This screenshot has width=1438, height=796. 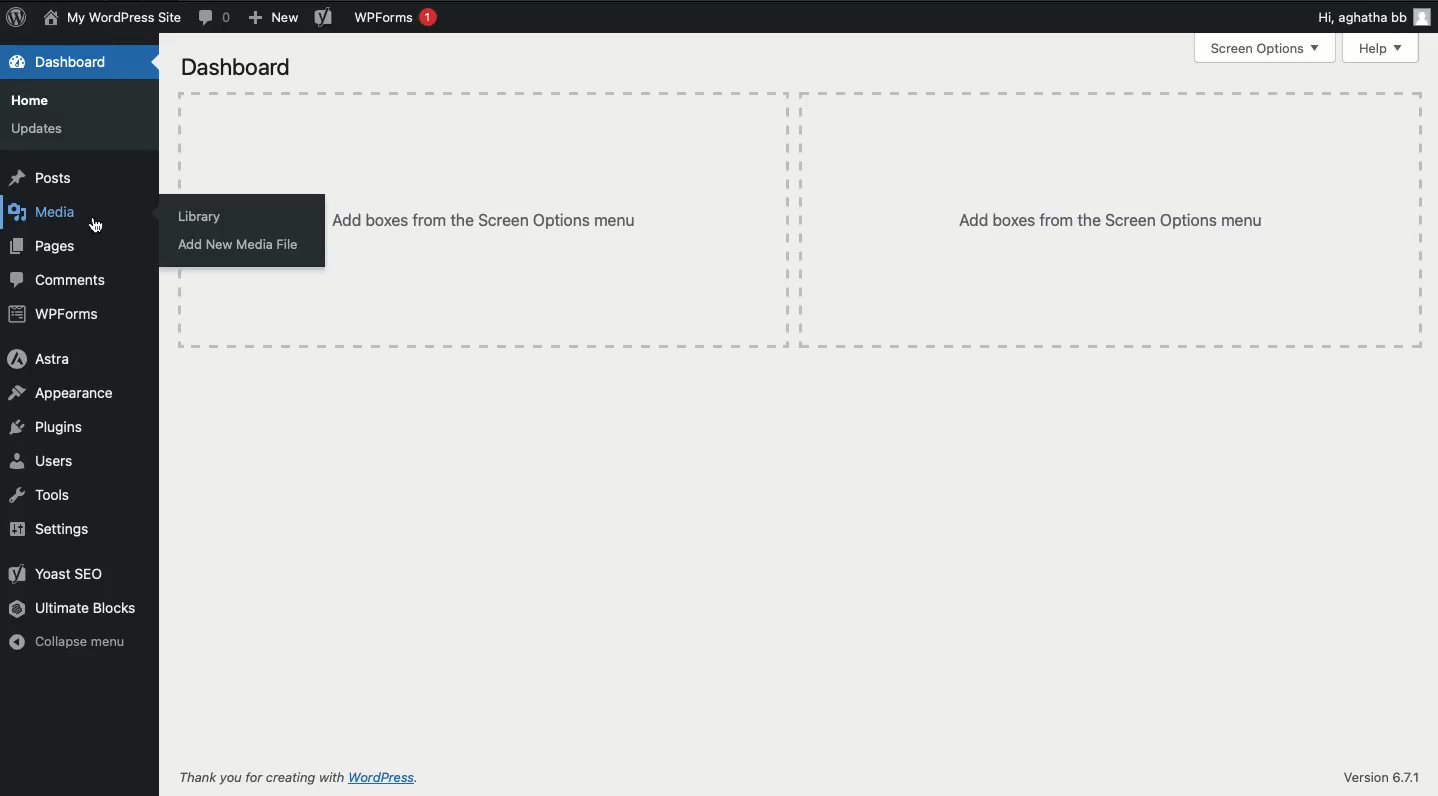 I want to click on Thank you for creating with WordPress, so click(x=300, y=779).